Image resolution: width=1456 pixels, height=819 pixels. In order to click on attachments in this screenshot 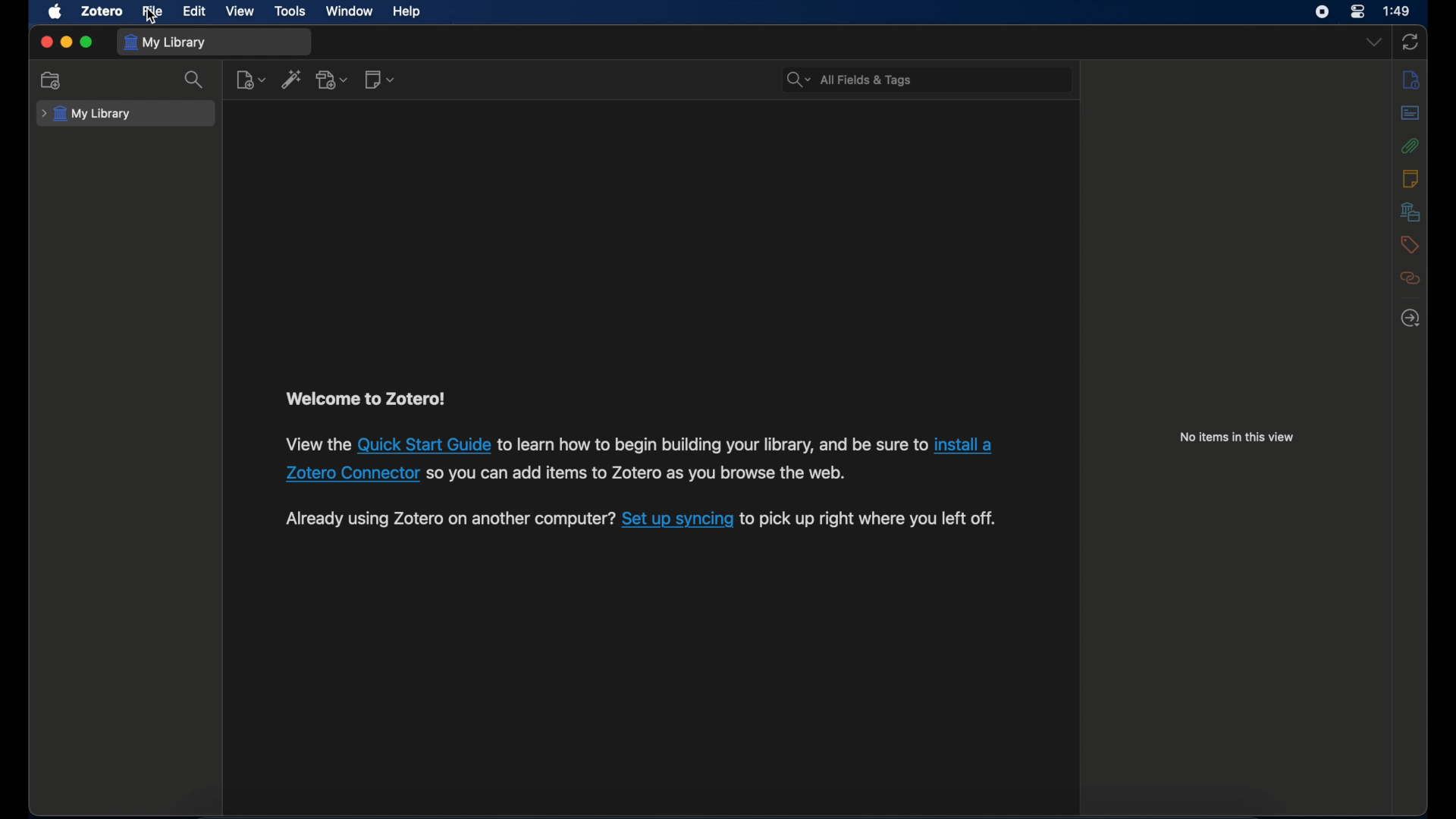, I will do `click(1410, 146)`.